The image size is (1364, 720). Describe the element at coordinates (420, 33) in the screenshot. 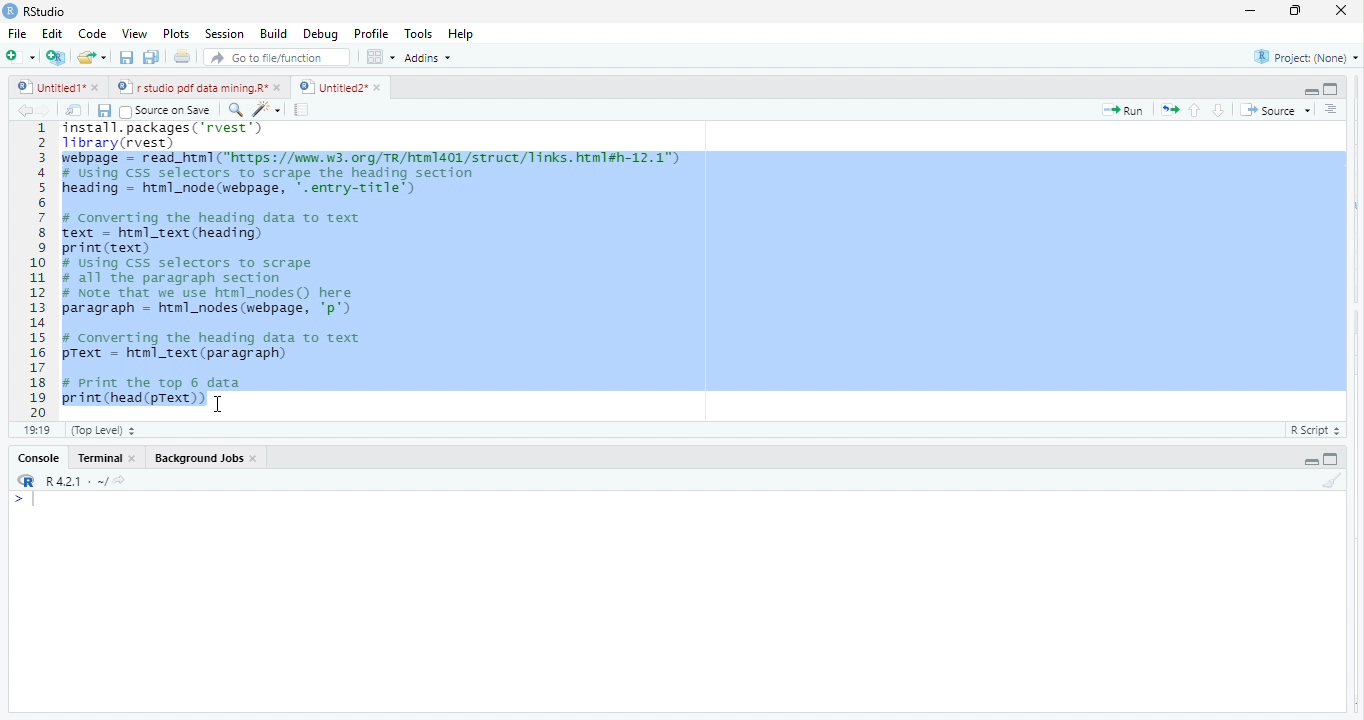

I see `Tools` at that location.